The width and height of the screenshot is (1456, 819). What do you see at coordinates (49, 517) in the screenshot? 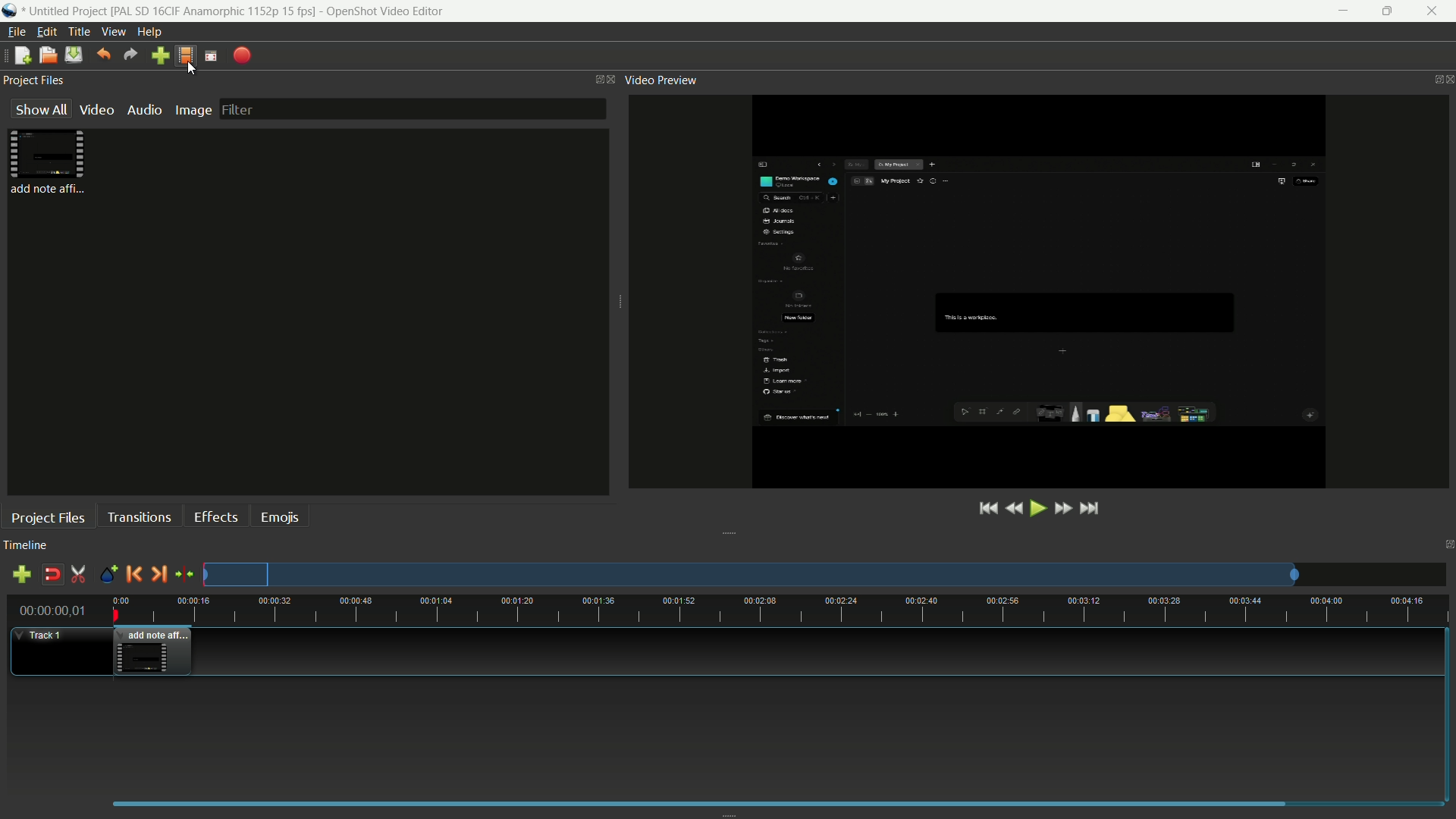
I see `project files` at bounding box center [49, 517].